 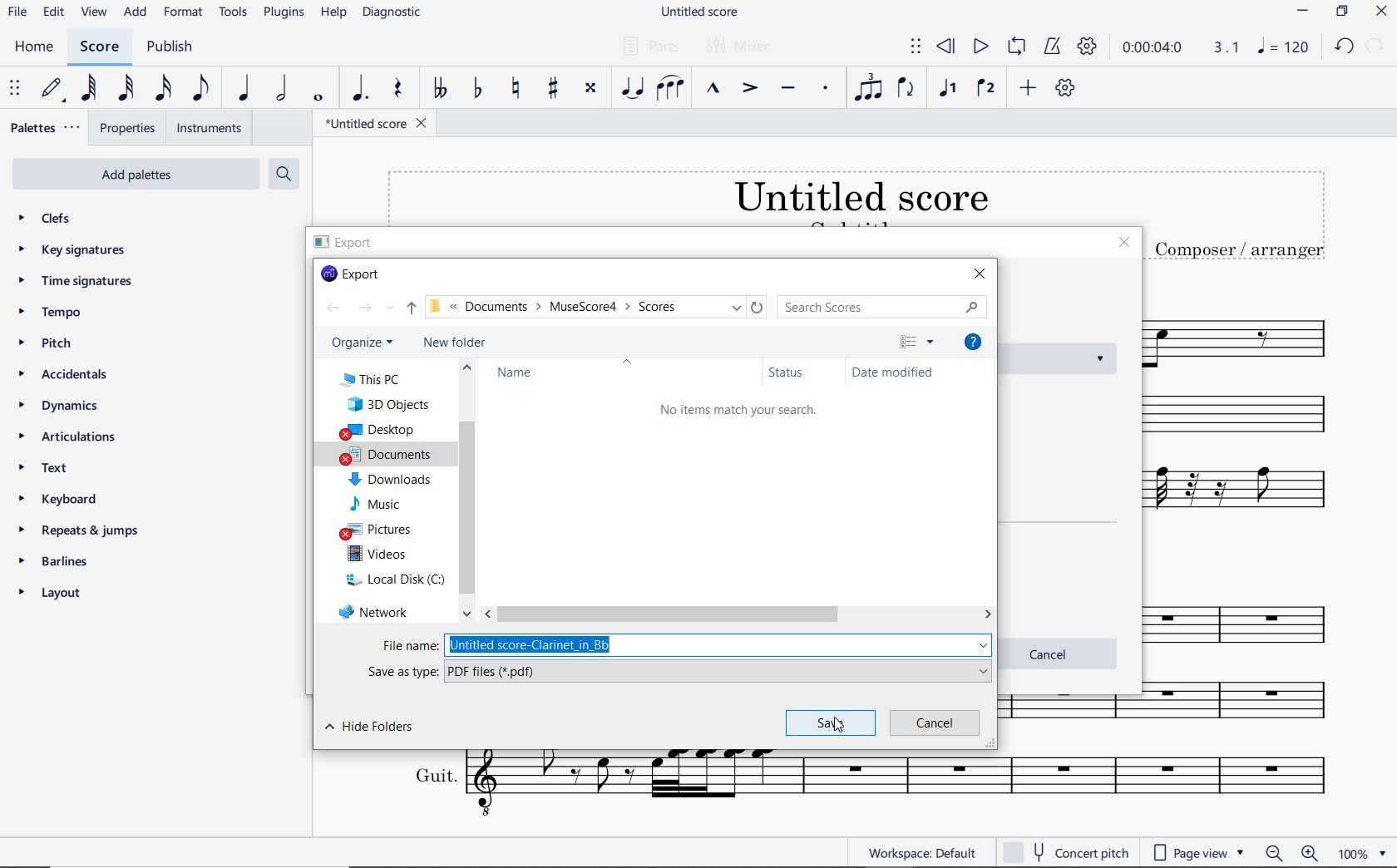 What do you see at coordinates (1247, 497) in the screenshot?
I see `7-string guitar` at bounding box center [1247, 497].